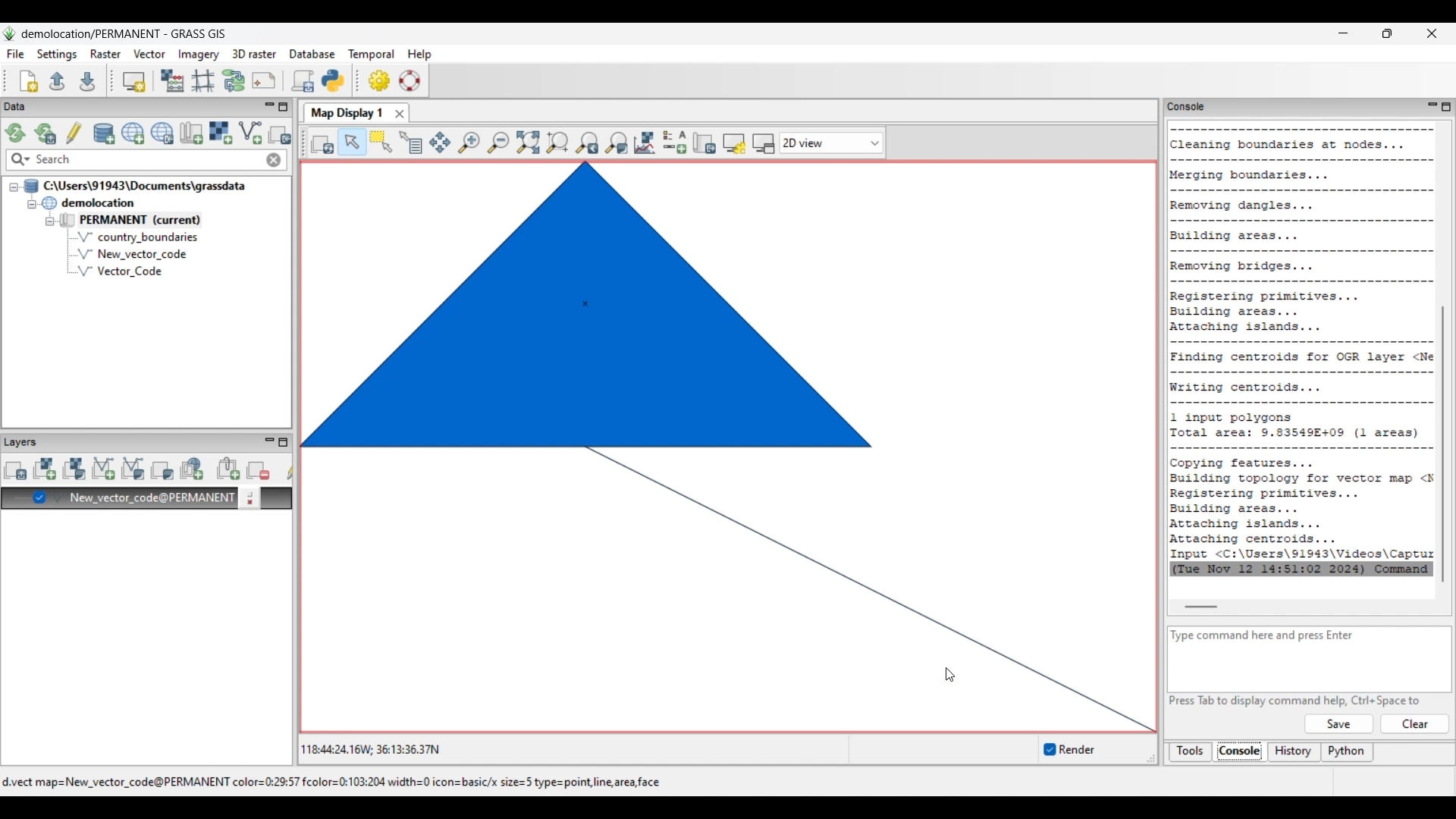 The image size is (1456, 819). I want to click on Download sample project (location) to current GRASS database, so click(162, 133).